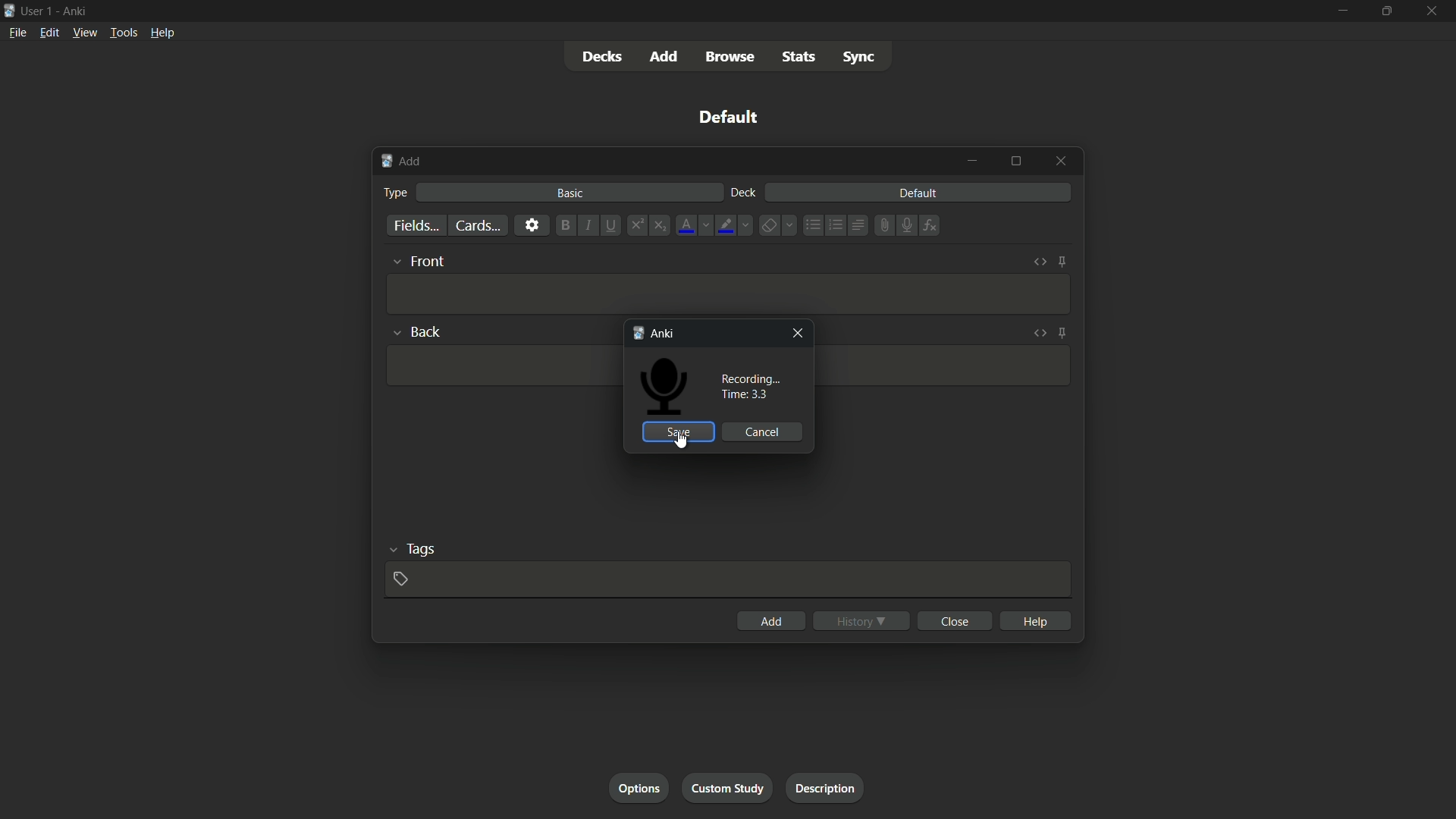 This screenshot has width=1456, height=819. What do you see at coordinates (1035, 620) in the screenshot?
I see `help` at bounding box center [1035, 620].